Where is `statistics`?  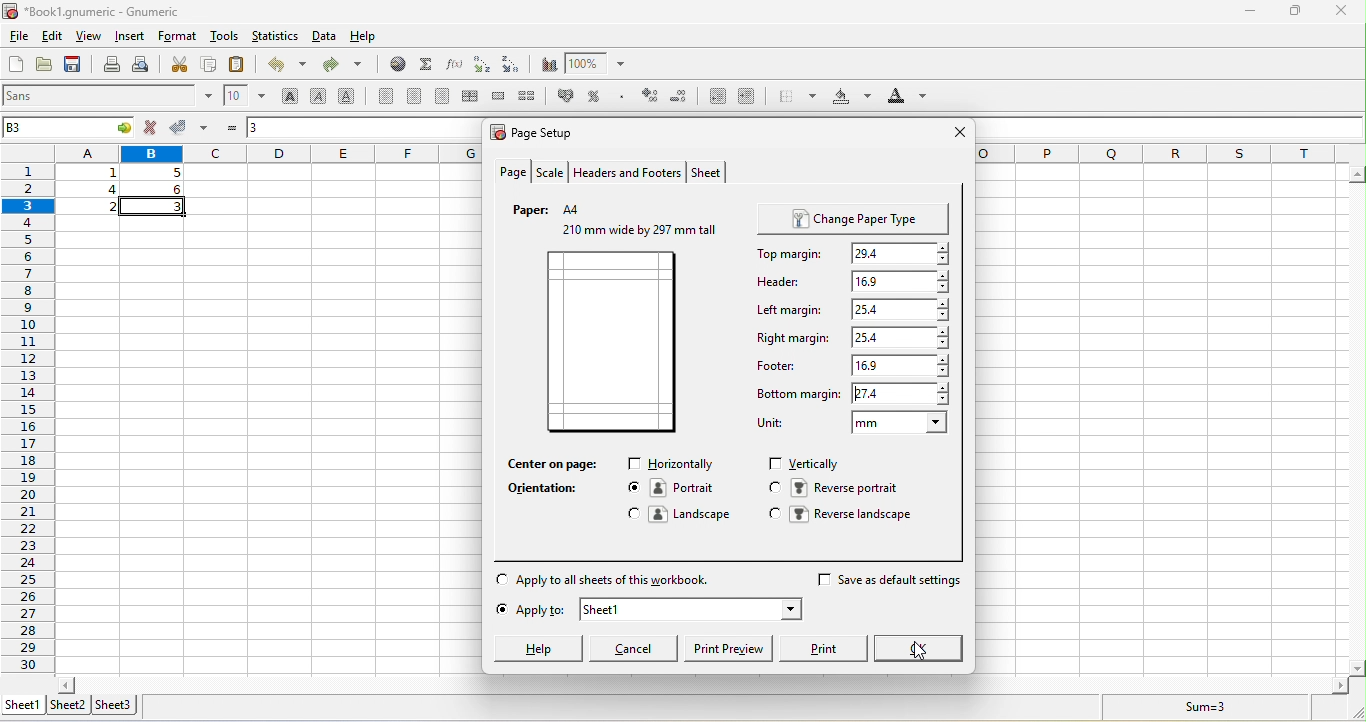 statistics is located at coordinates (275, 39).